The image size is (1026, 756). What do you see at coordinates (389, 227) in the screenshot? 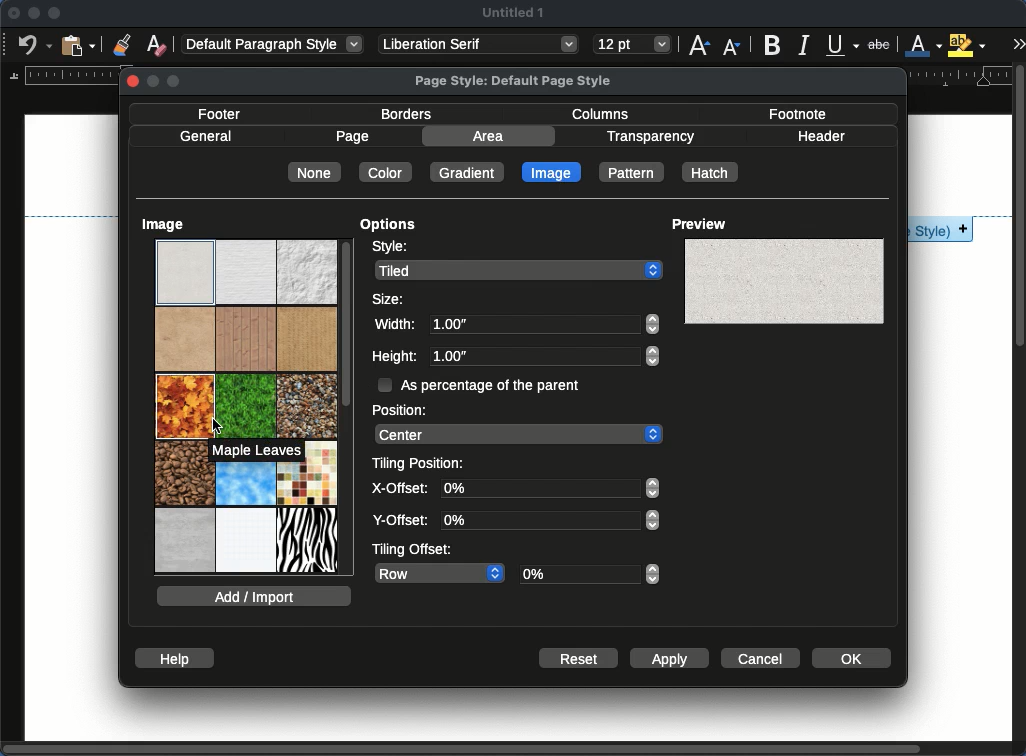
I see `options` at bounding box center [389, 227].